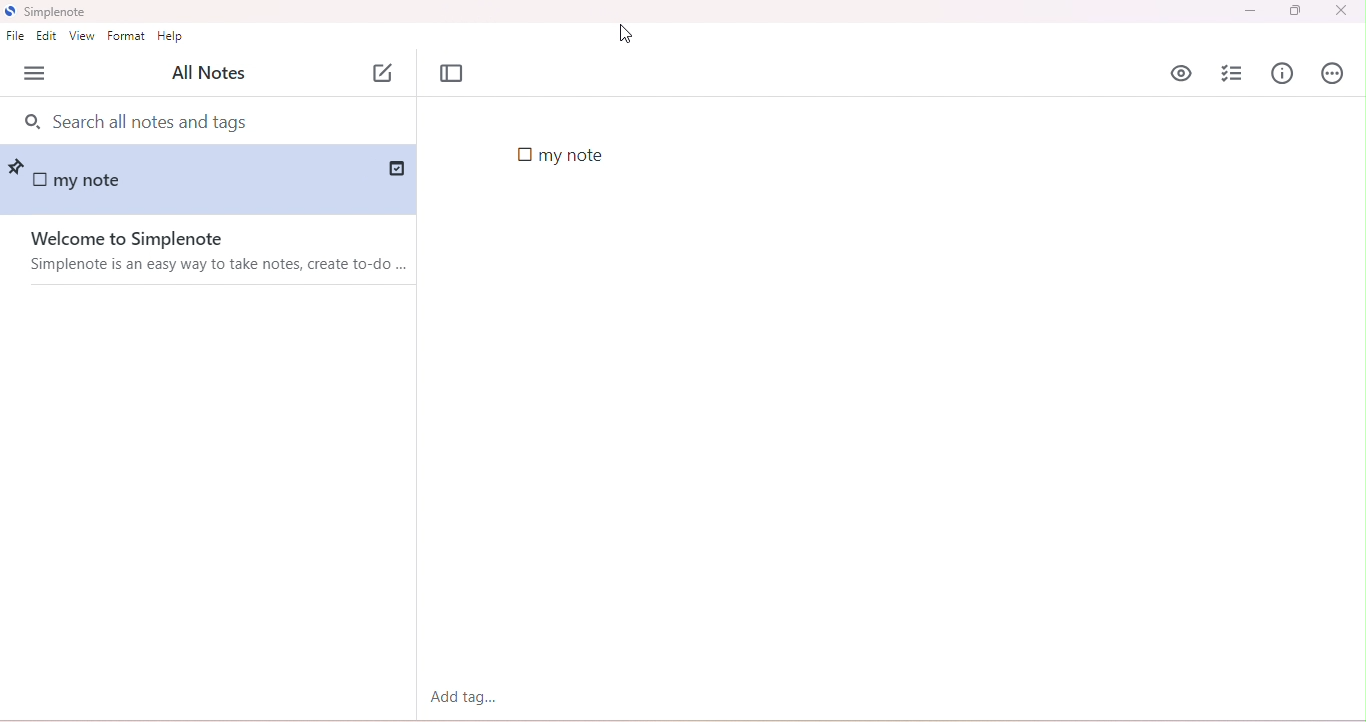 This screenshot has width=1366, height=722. I want to click on welcome to simplenote, so click(207, 252).